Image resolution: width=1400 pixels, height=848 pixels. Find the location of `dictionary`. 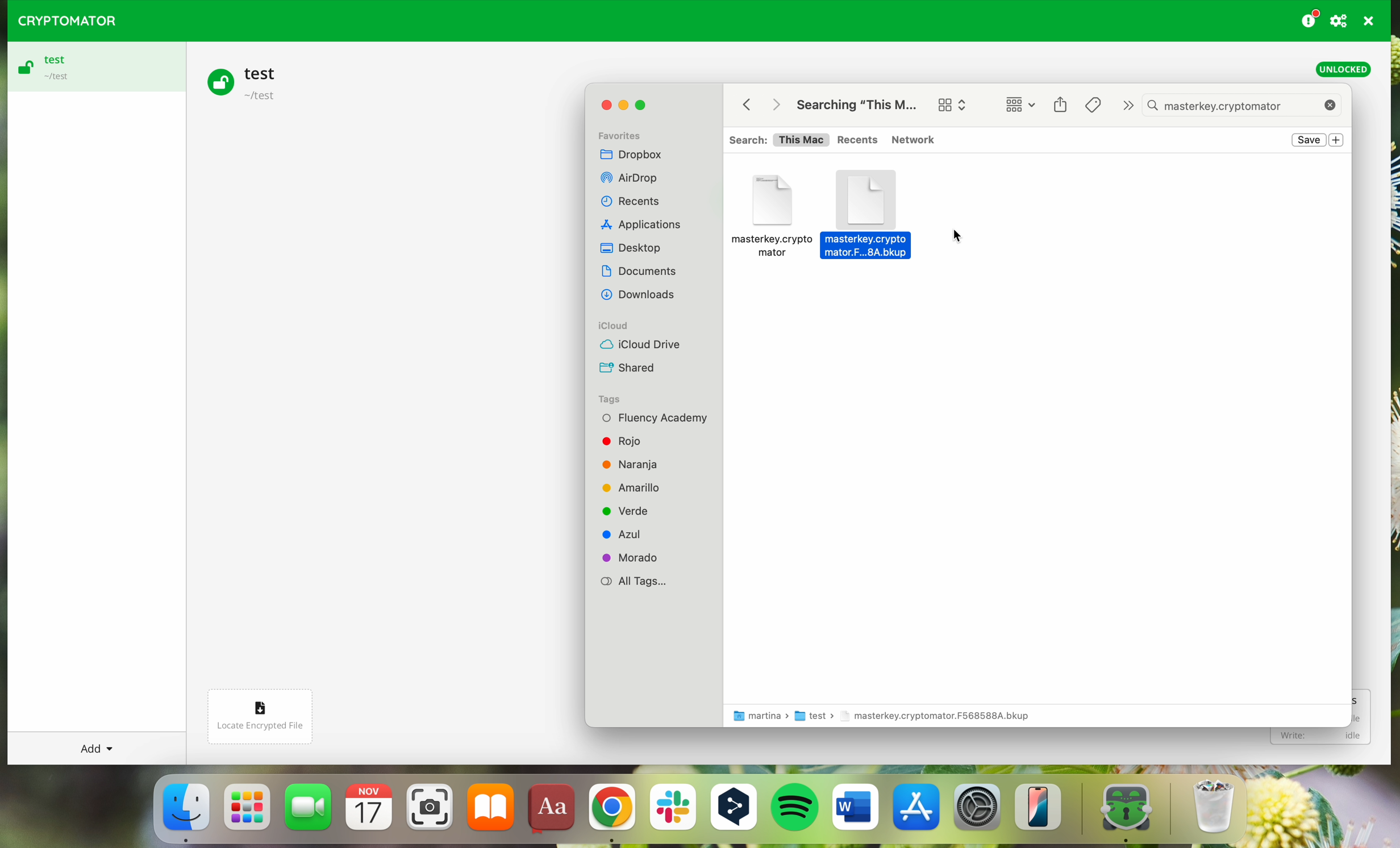

dictionary is located at coordinates (552, 809).